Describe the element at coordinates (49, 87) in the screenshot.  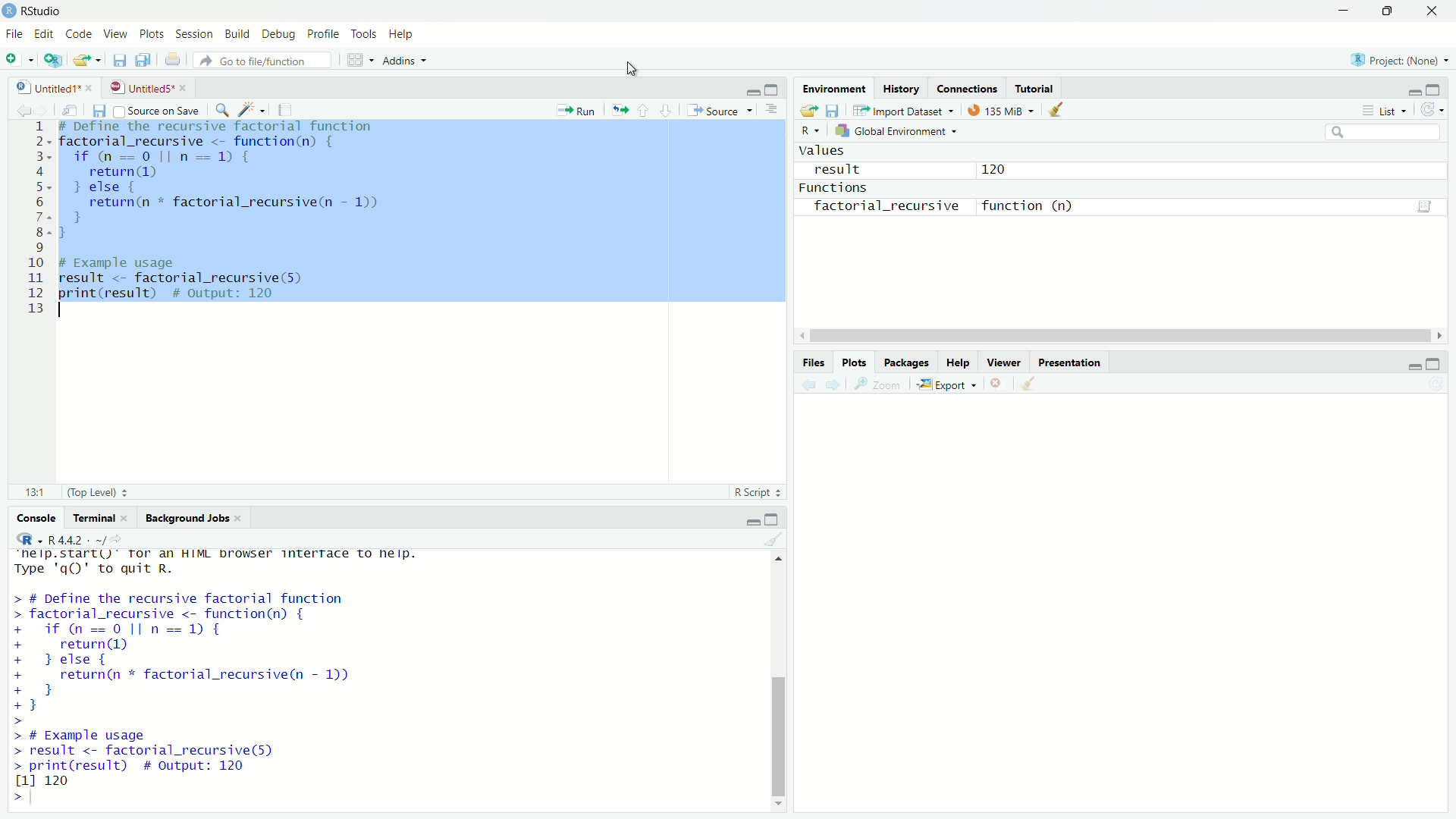
I see `Untitled1*` at that location.